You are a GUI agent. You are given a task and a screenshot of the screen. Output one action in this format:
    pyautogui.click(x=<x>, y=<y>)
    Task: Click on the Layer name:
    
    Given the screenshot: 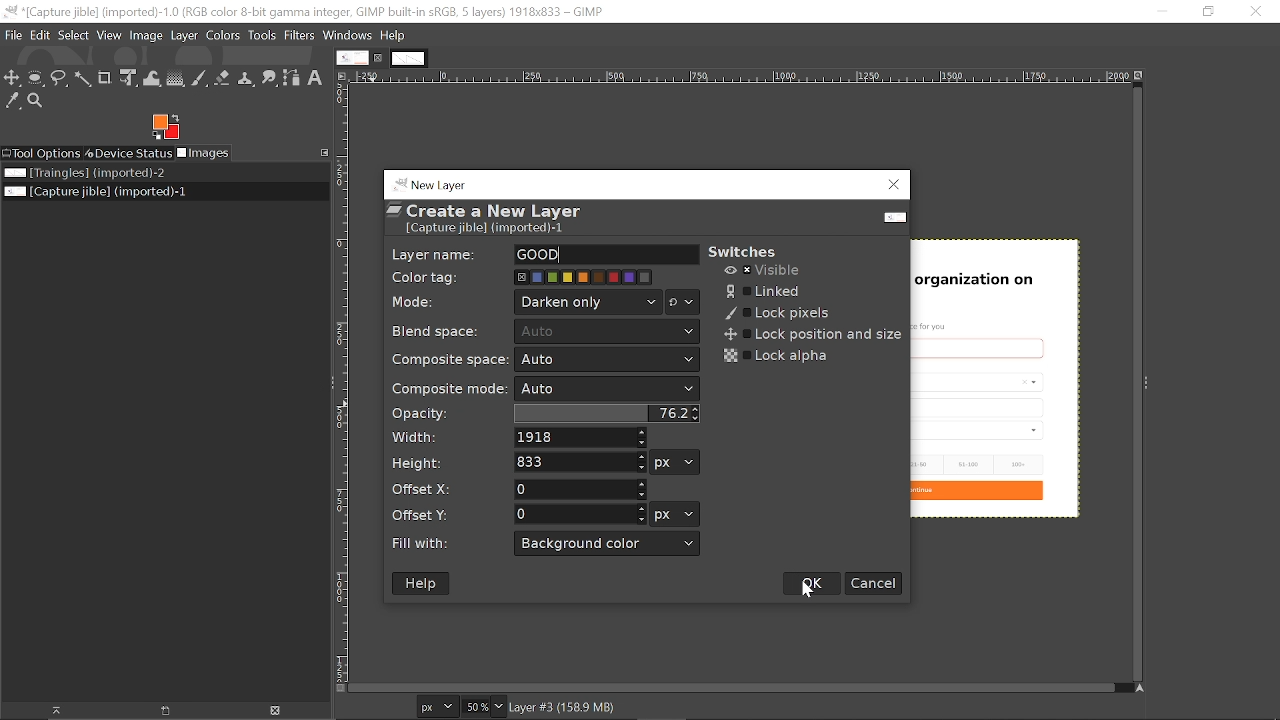 What is the action you would take?
    pyautogui.click(x=433, y=253)
    